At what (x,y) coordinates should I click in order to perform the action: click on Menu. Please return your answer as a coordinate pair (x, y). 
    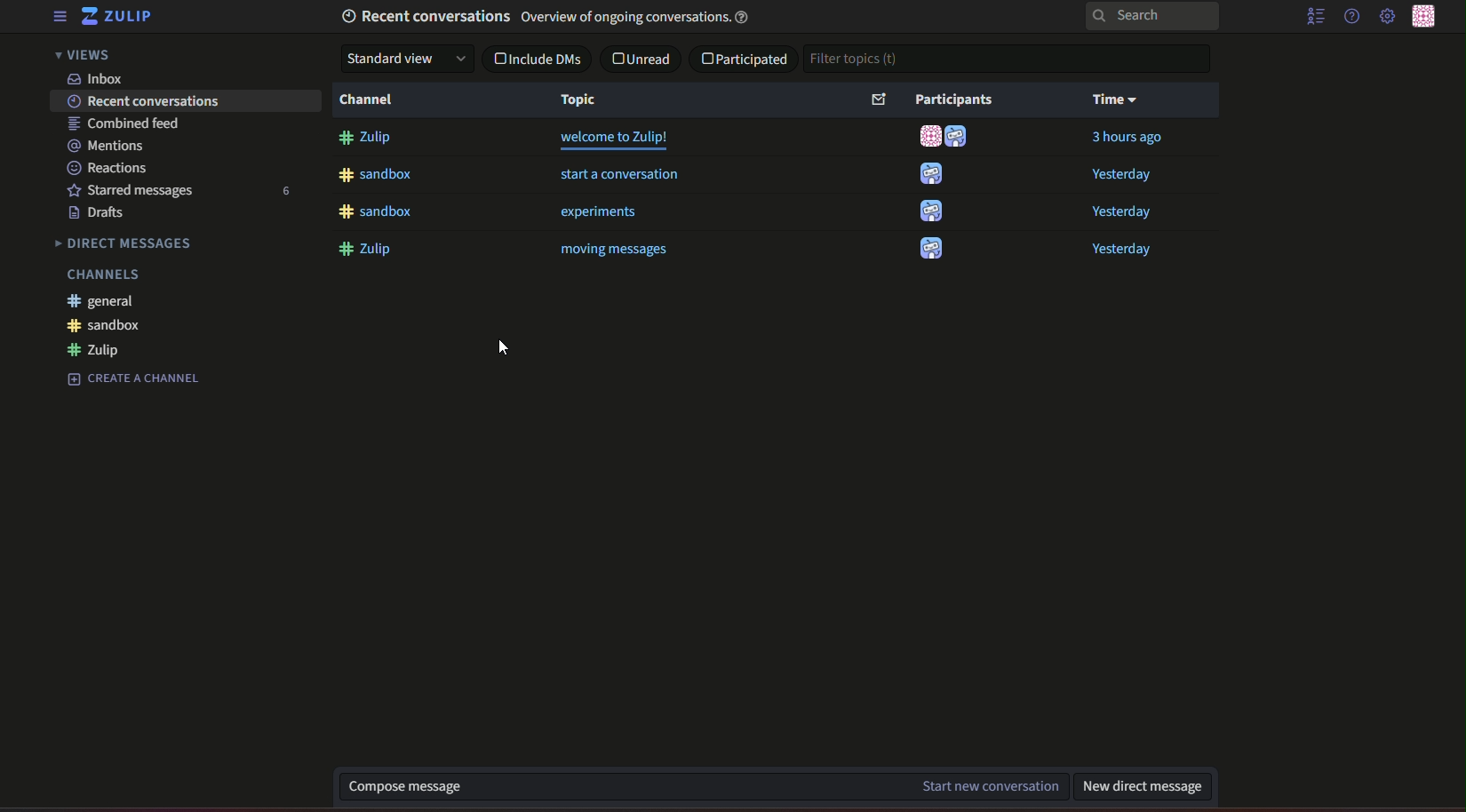
    Looking at the image, I should click on (60, 18).